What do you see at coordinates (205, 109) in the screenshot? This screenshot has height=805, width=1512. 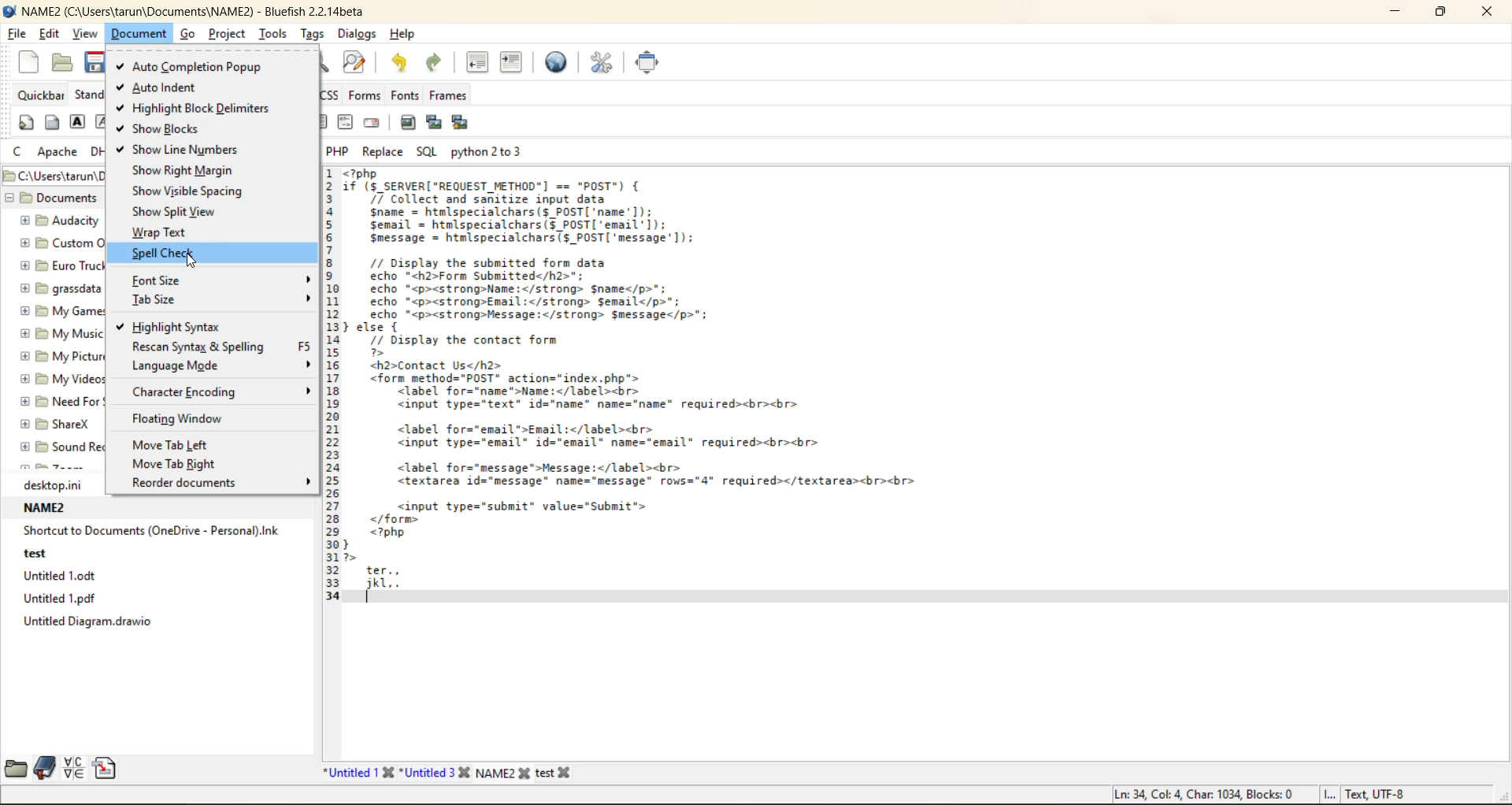 I see `highlight block delimiters` at bounding box center [205, 109].